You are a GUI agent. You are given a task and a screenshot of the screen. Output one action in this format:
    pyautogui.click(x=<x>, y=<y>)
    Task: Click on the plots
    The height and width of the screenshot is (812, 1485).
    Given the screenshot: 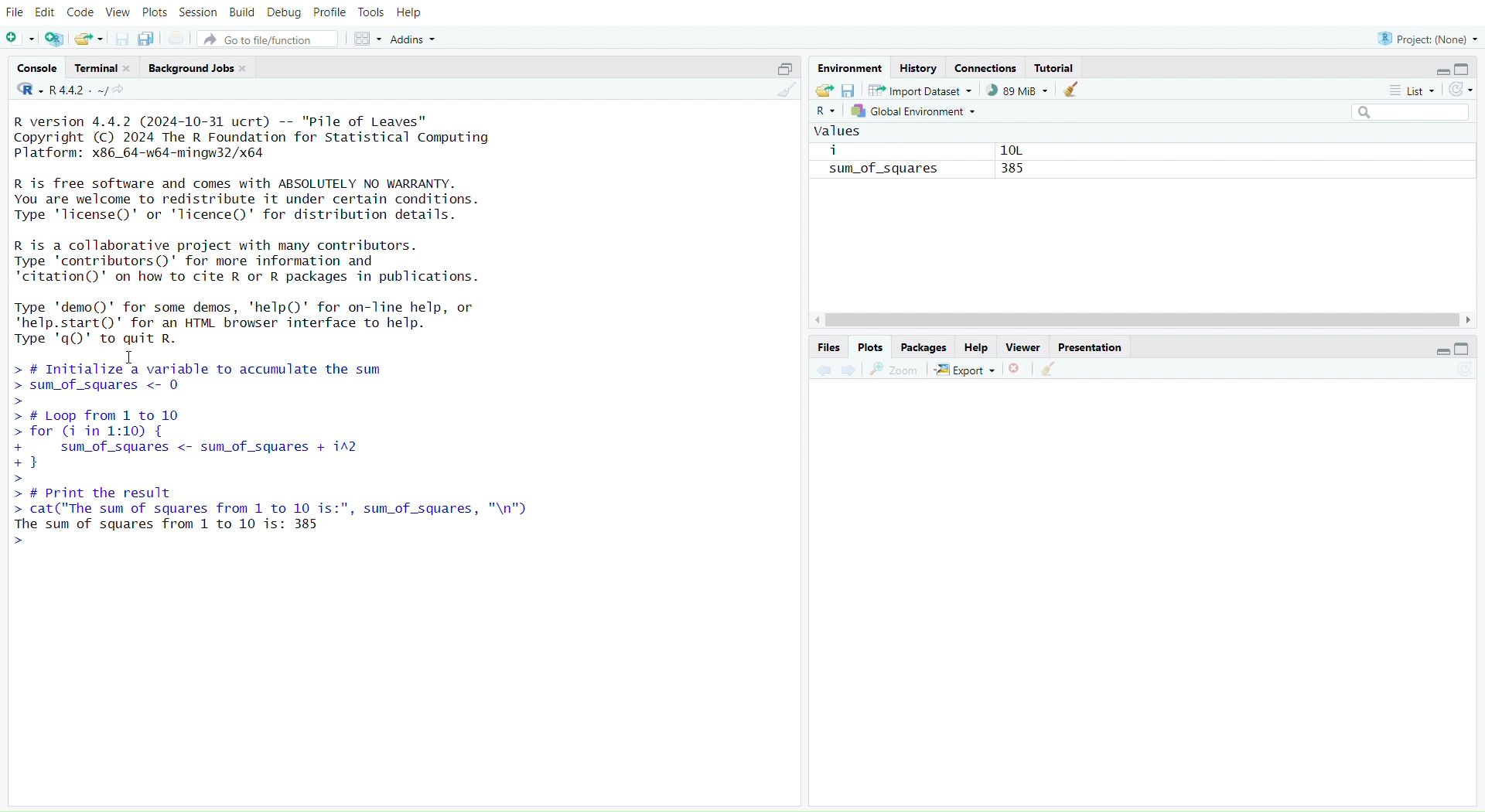 What is the action you would take?
    pyautogui.click(x=154, y=12)
    